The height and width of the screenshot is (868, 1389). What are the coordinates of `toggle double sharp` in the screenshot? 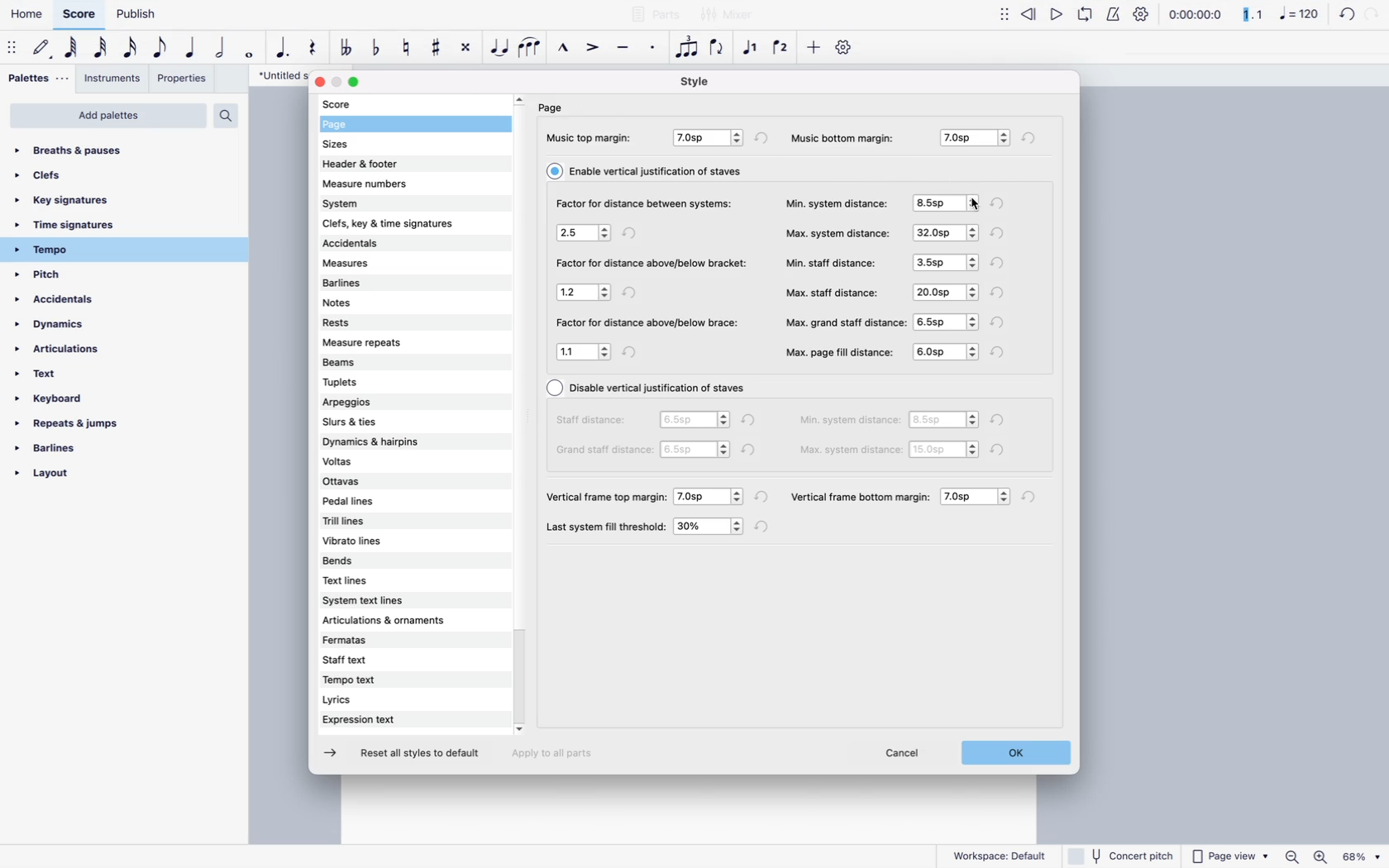 It's located at (468, 50).